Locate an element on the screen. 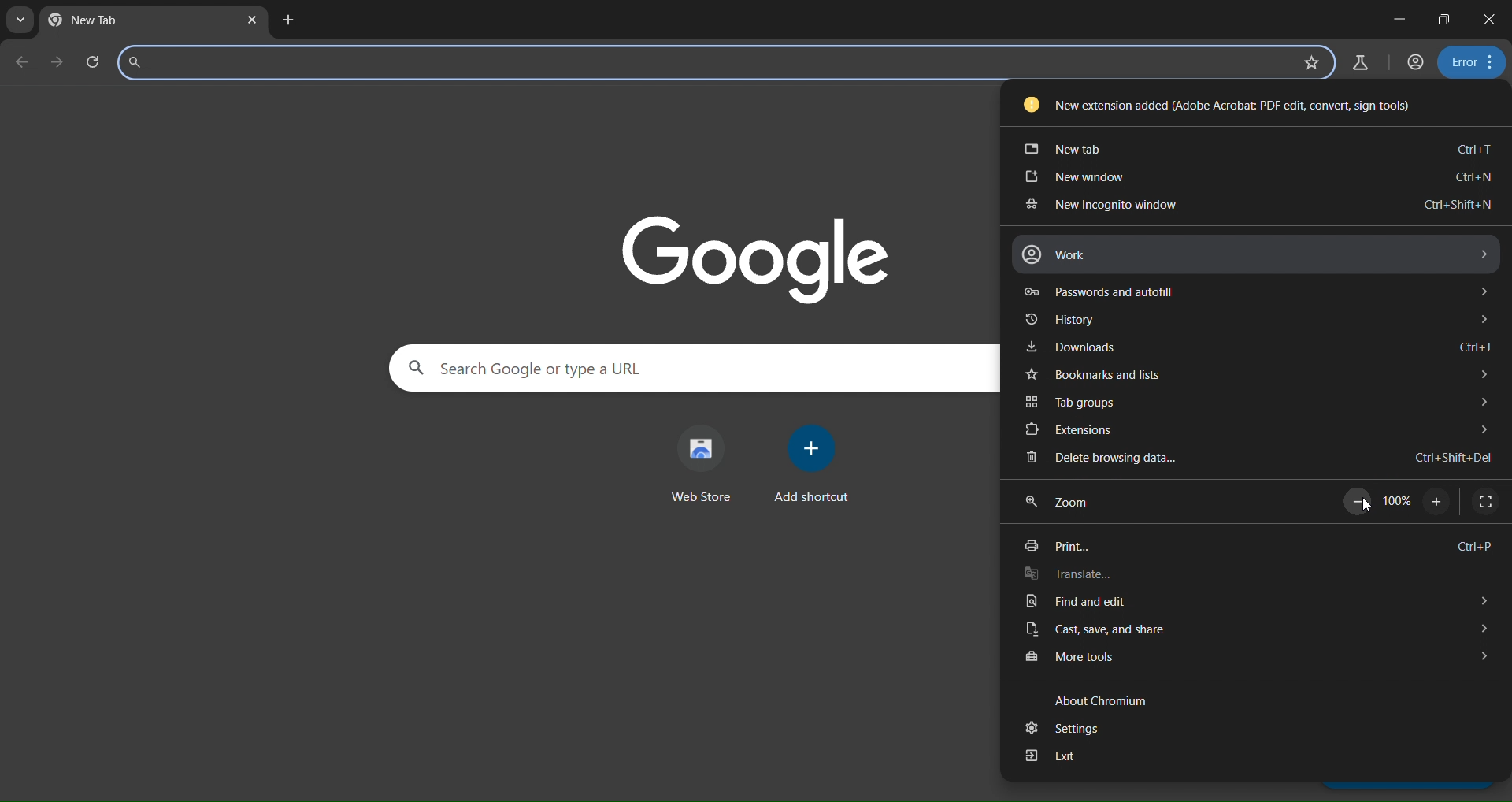 This screenshot has width=1512, height=802. new window is located at coordinates (1261, 176).